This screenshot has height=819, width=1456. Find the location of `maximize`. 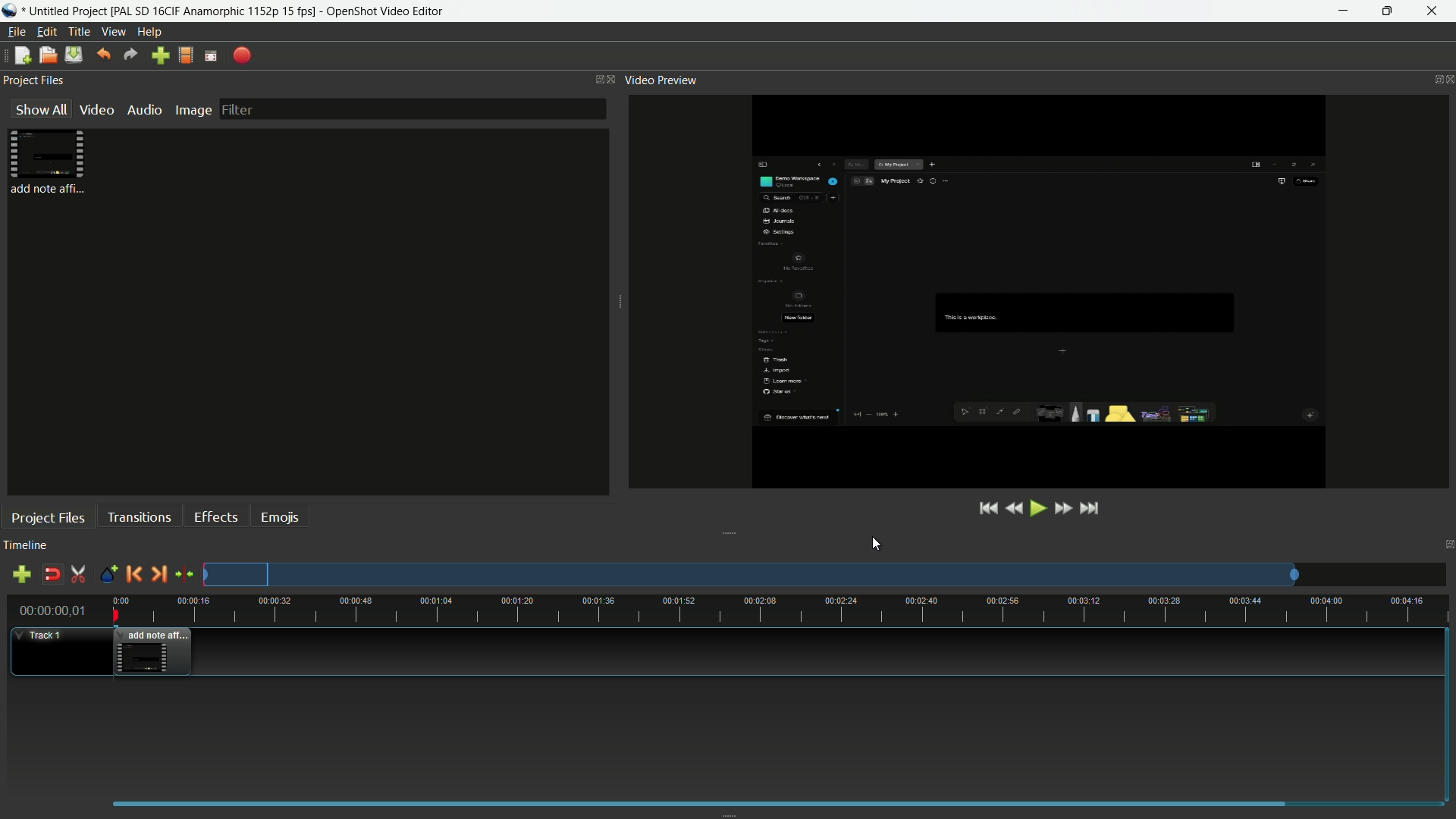

maximize is located at coordinates (1389, 11).